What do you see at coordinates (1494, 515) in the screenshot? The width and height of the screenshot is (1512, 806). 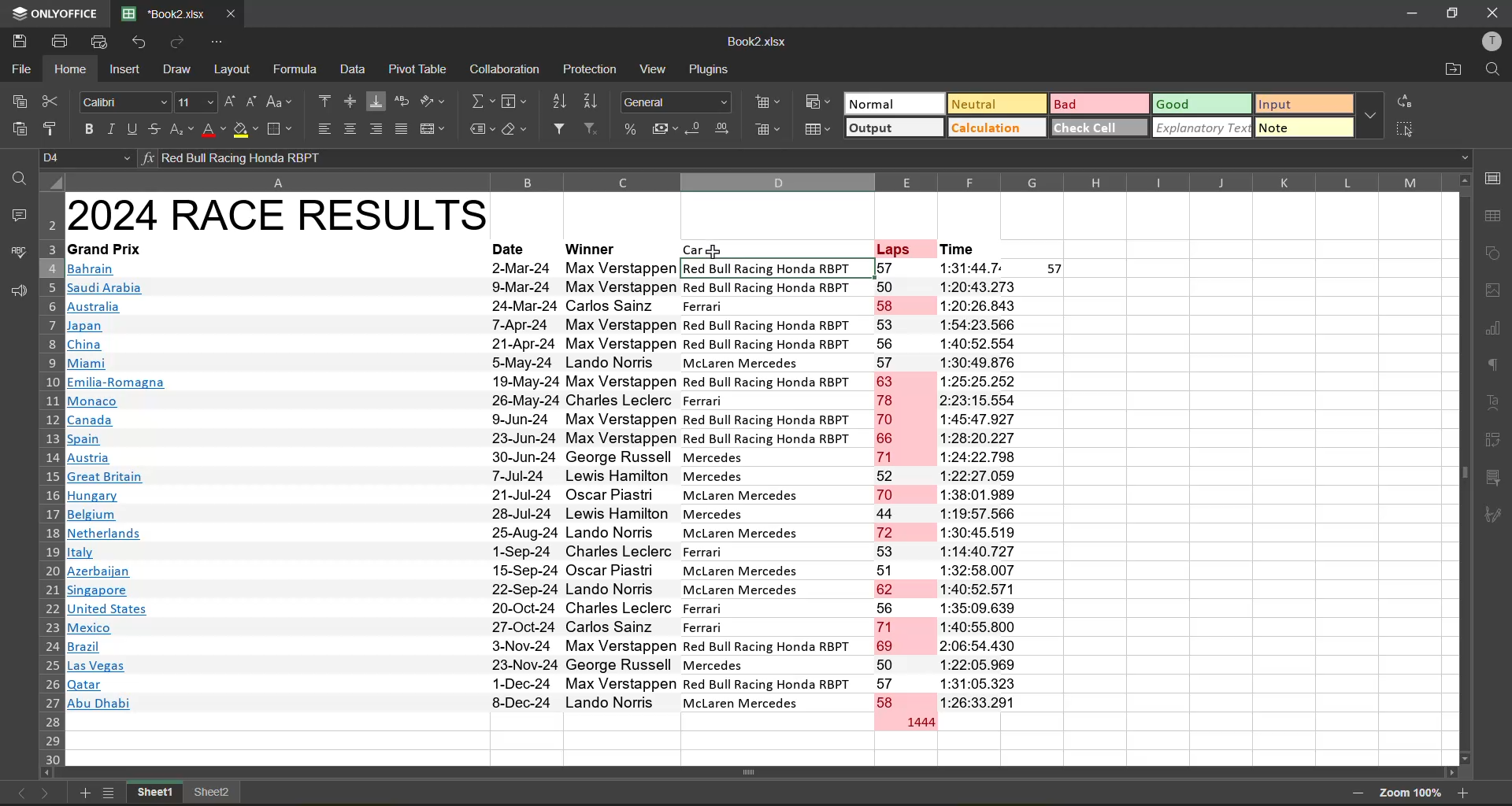 I see `signature` at bounding box center [1494, 515].